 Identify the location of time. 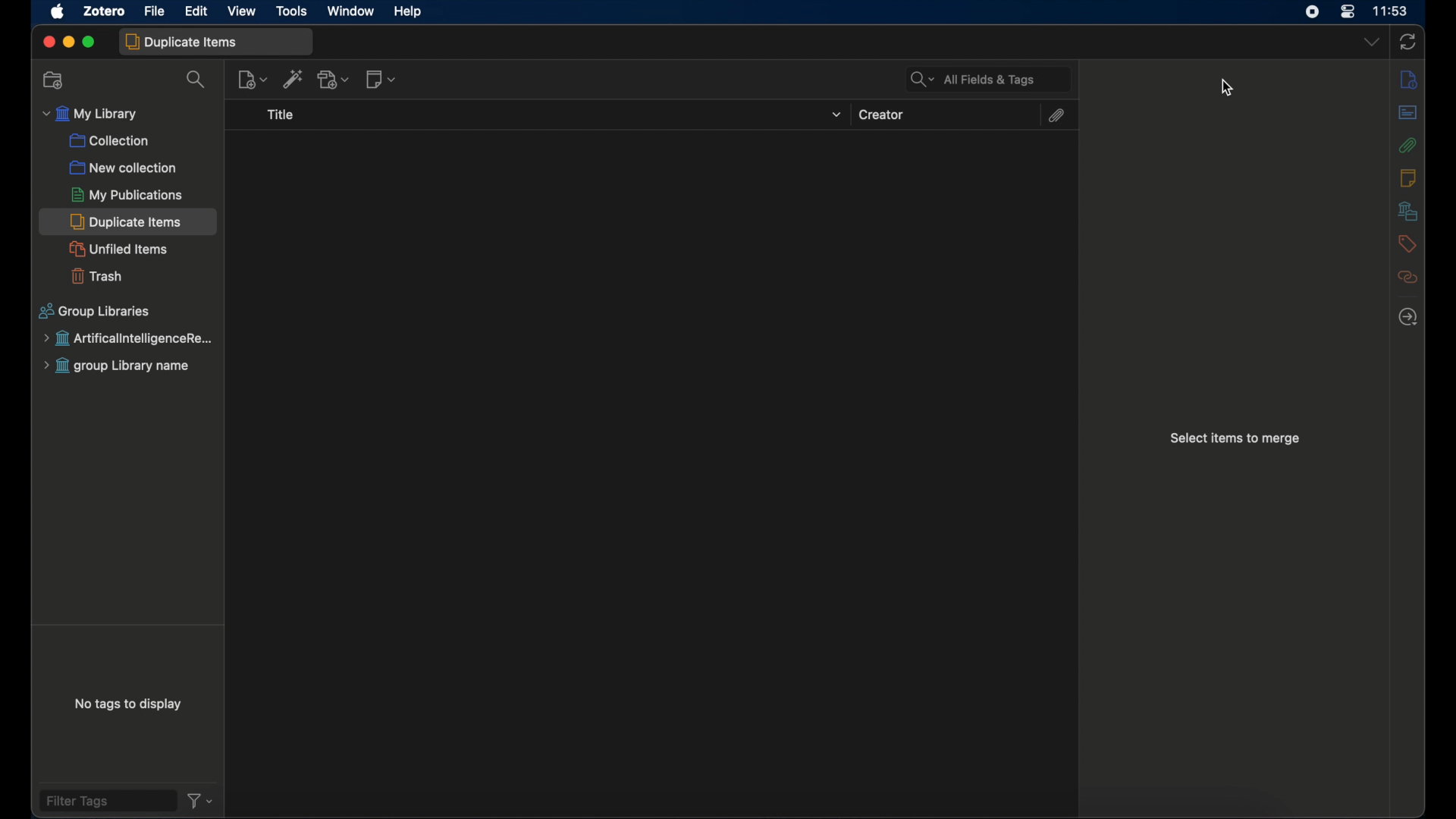
(1392, 11).